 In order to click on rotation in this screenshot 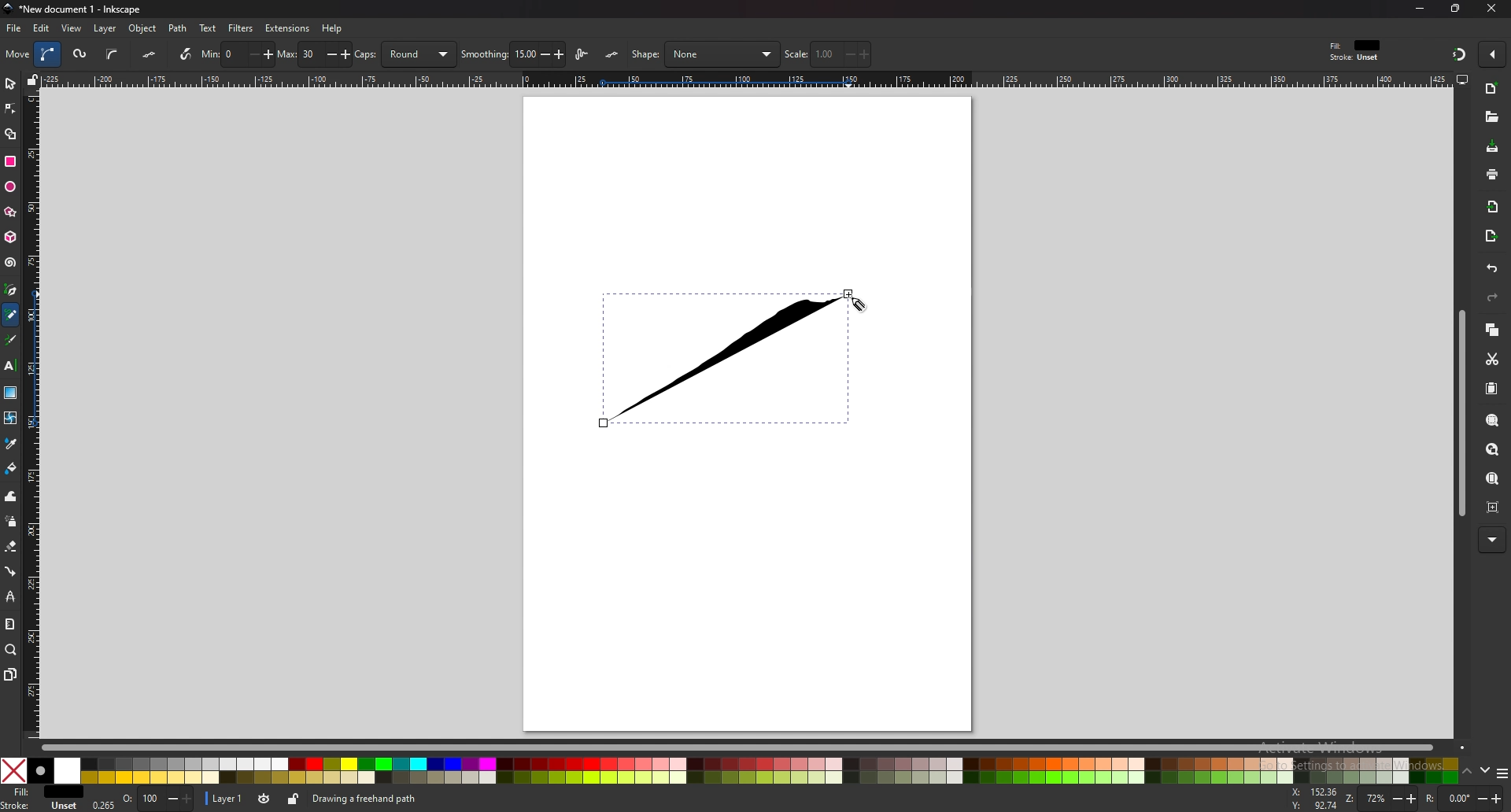, I will do `click(1461, 795)`.